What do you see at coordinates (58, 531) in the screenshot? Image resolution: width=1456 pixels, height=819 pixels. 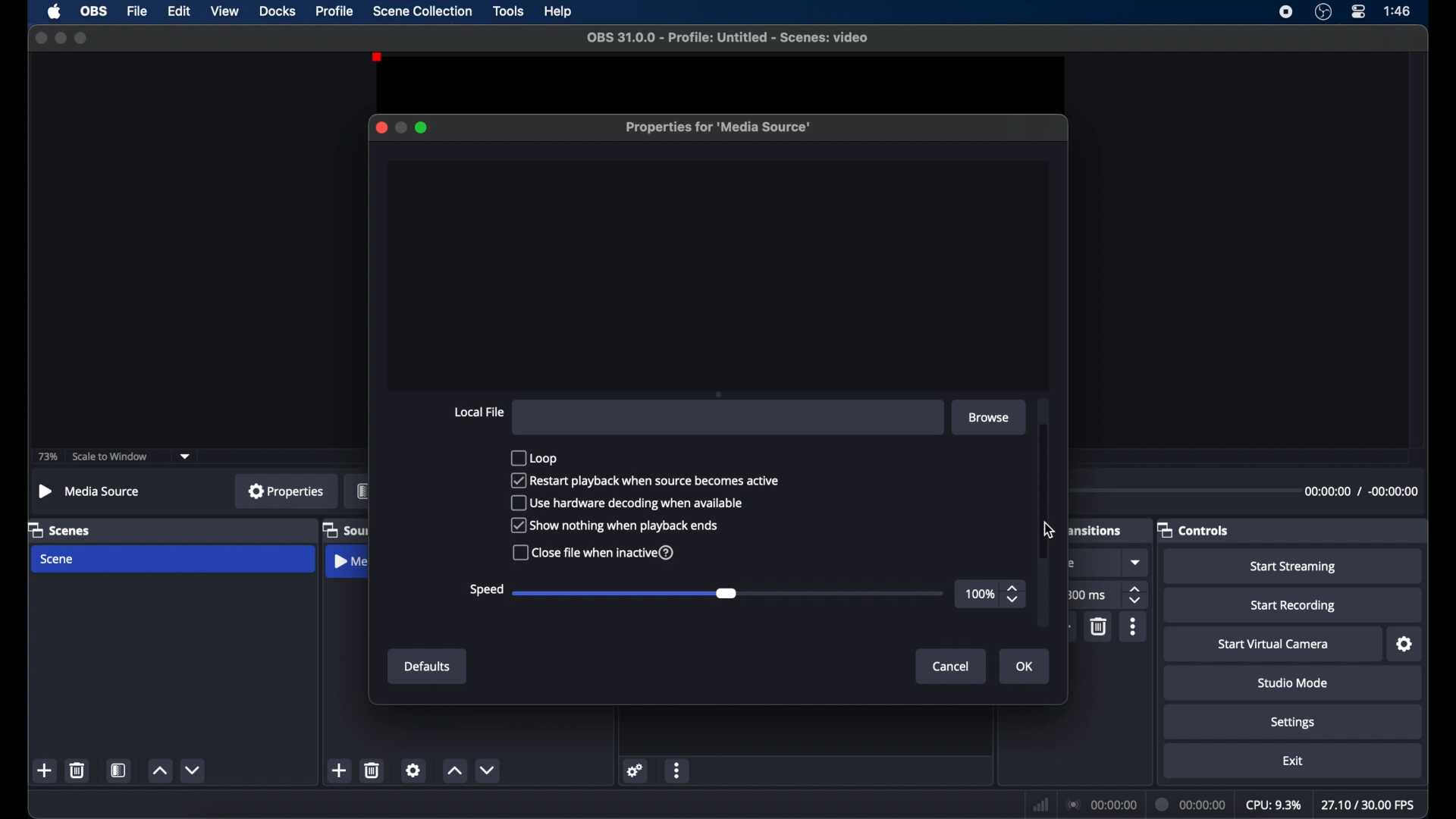 I see `scenes` at bounding box center [58, 531].